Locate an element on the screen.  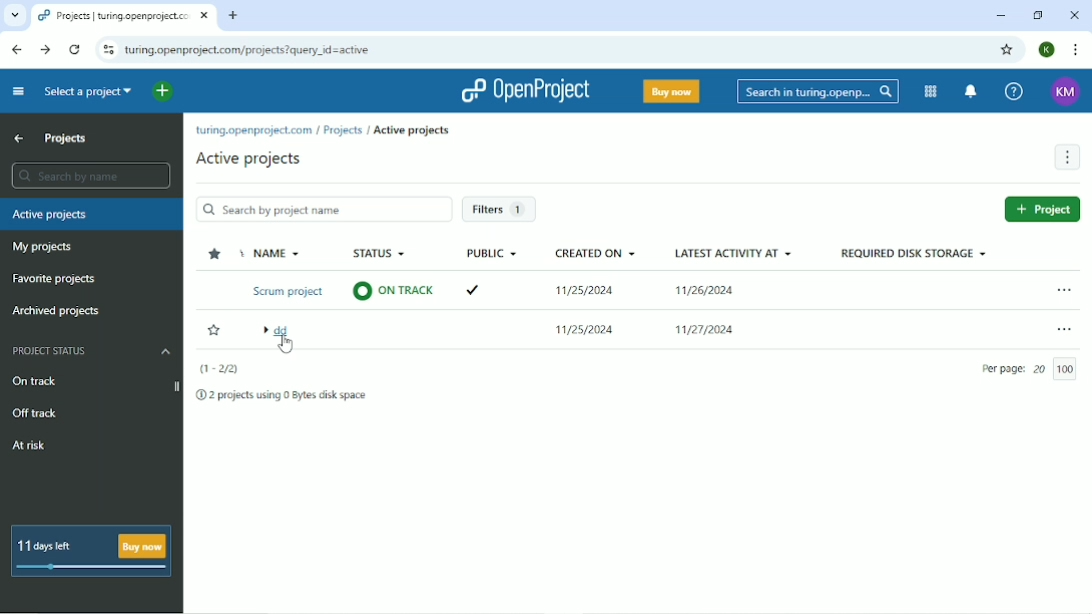
Project is located at coordinates (1041, 211).